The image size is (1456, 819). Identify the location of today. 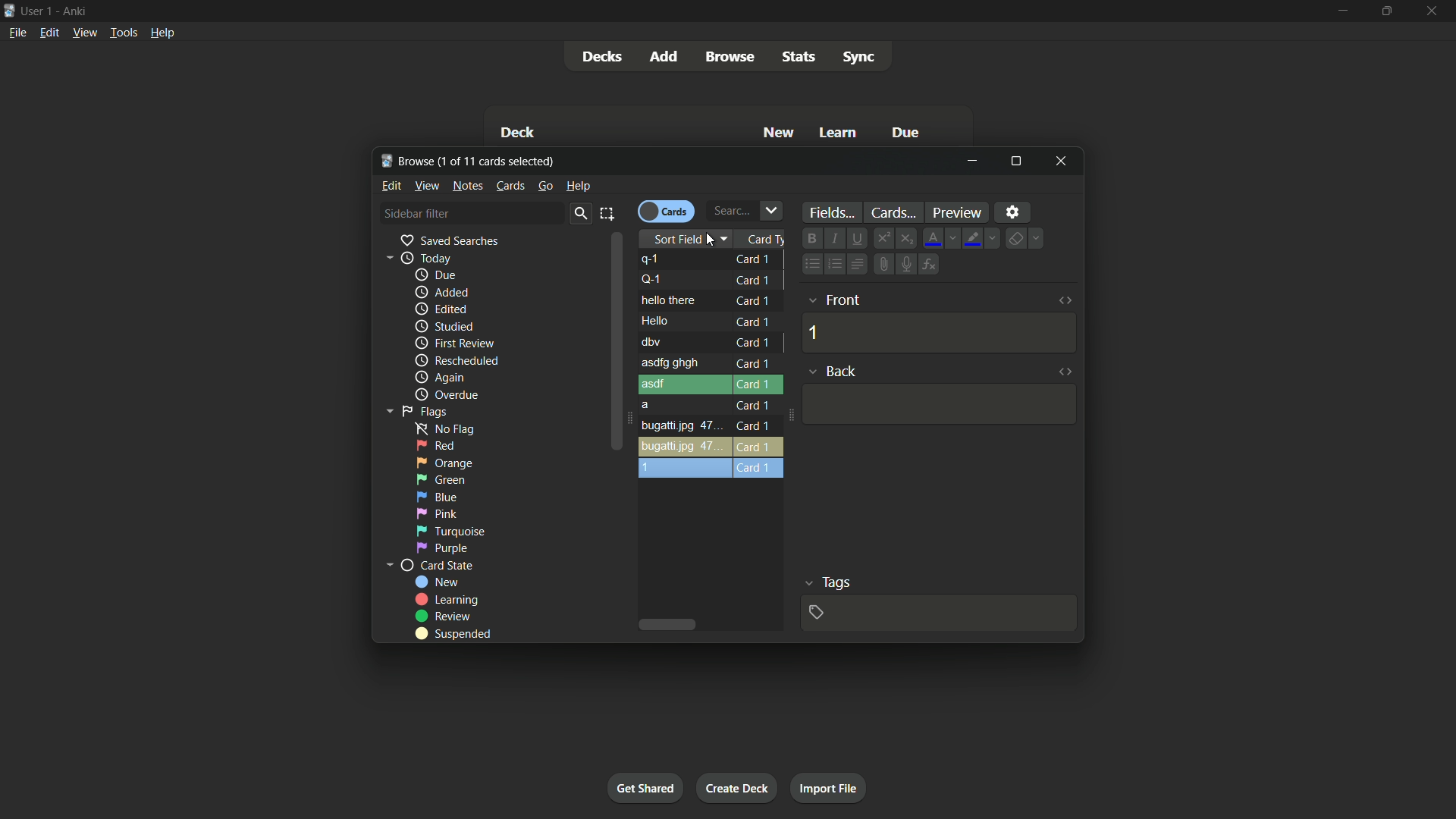
(426, 258).